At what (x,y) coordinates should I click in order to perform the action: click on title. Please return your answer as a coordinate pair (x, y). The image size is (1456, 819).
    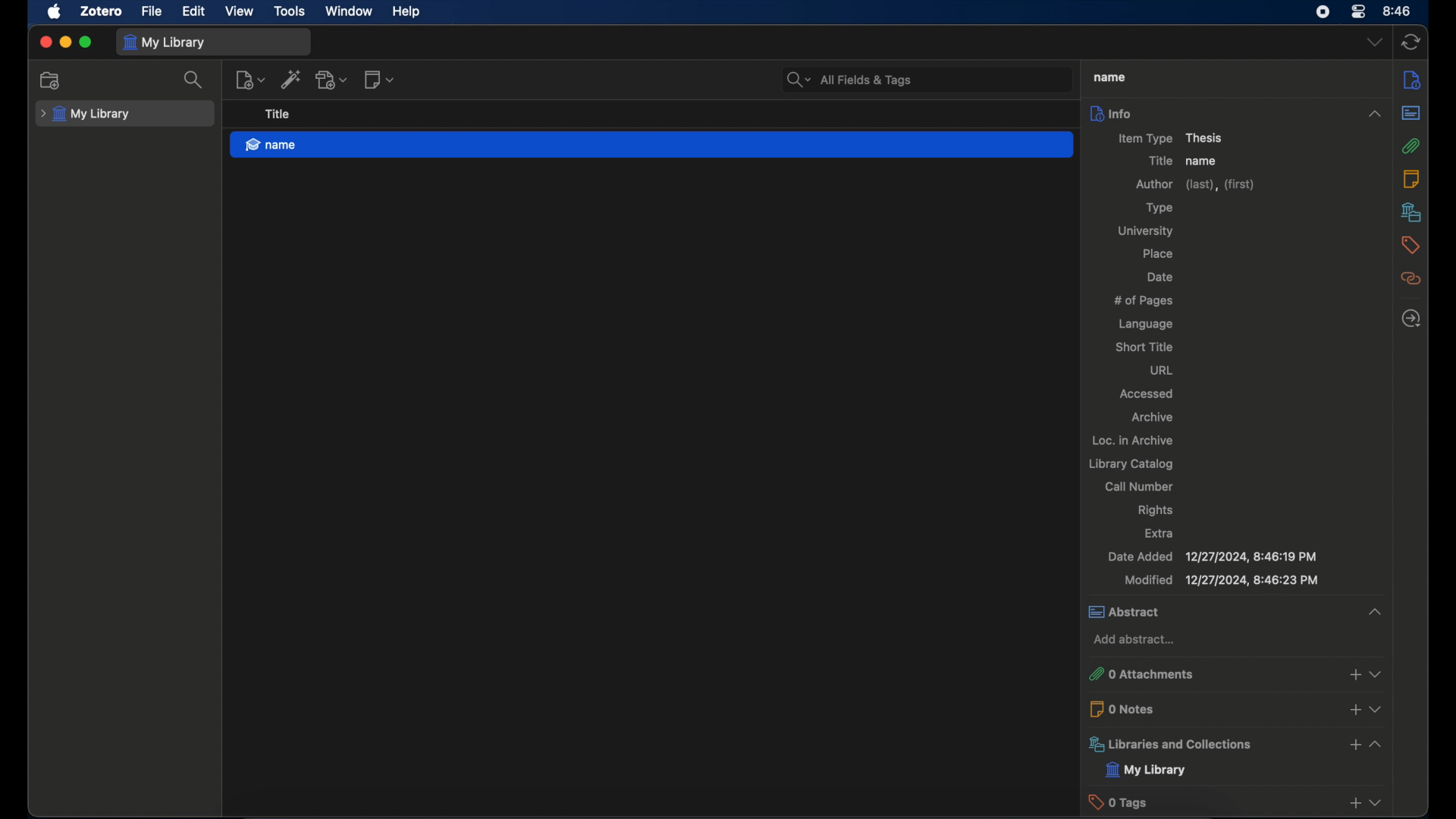
    Looking at the image, I should click on (277, 115).